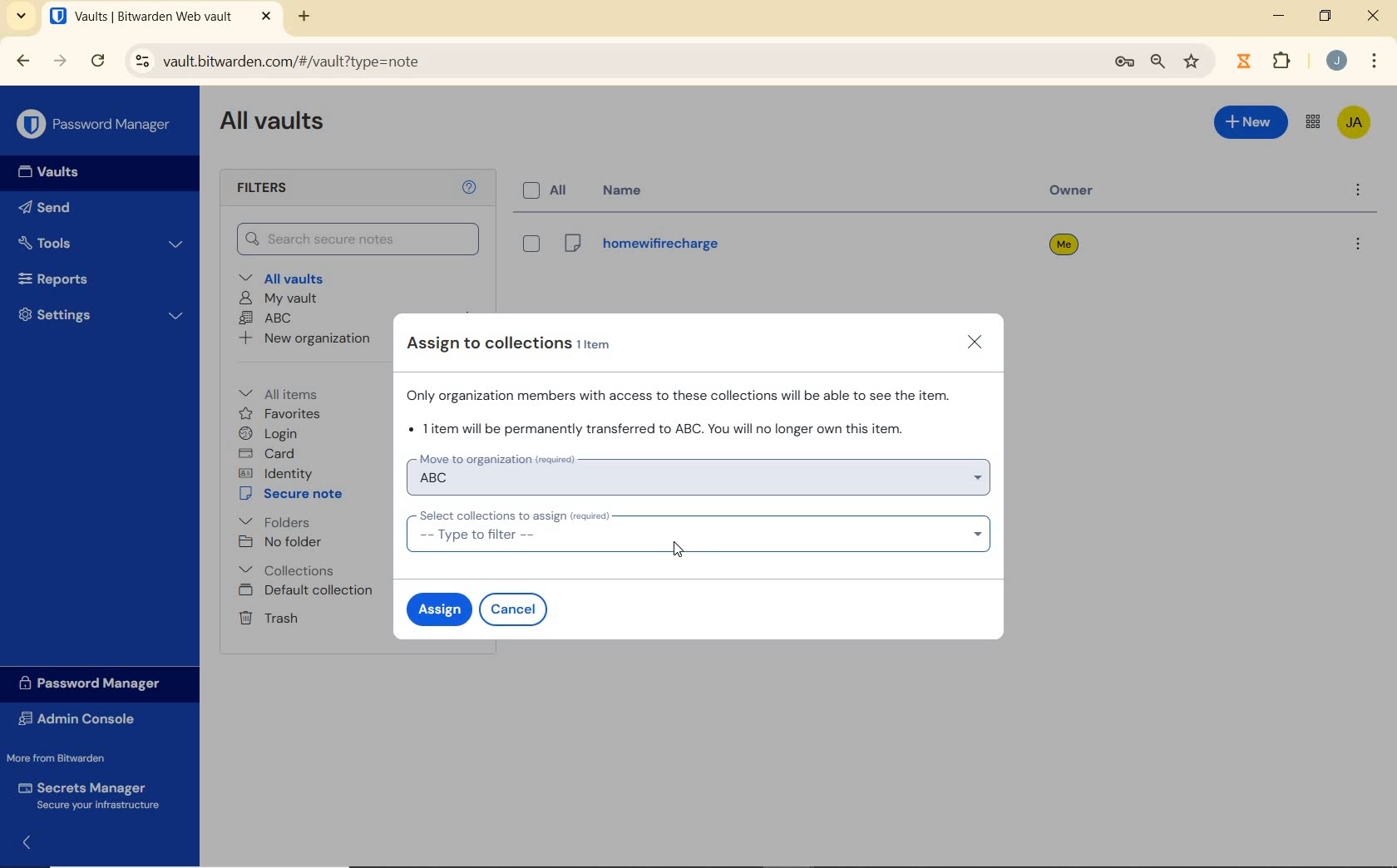  Describe the element at coordinates (1375, 60) in the screenshot. I see `customize Google chrome` at that location.